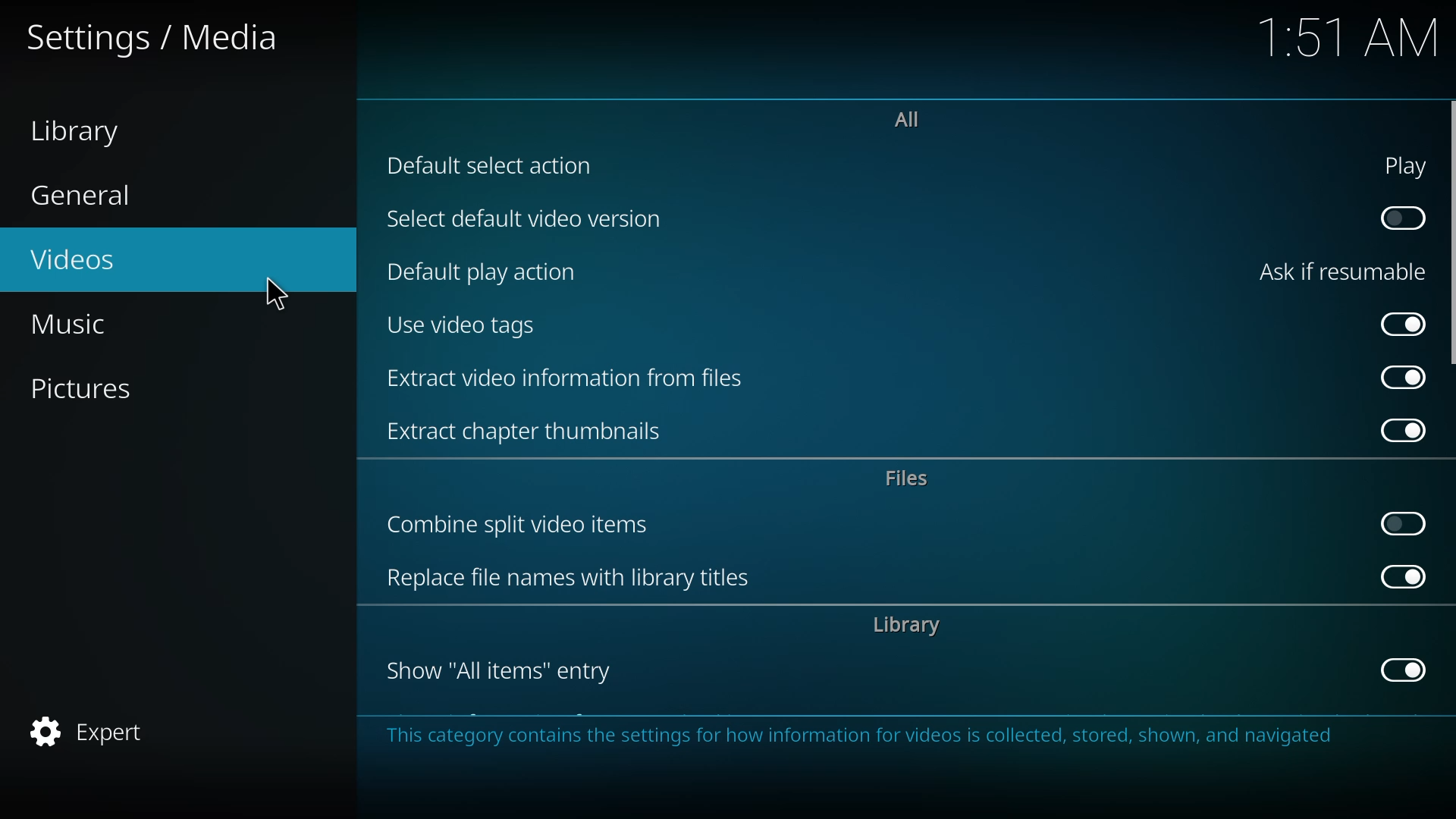 The height and width of the screenshot is (819, 1456). I want to click on info, so click(864, 735).